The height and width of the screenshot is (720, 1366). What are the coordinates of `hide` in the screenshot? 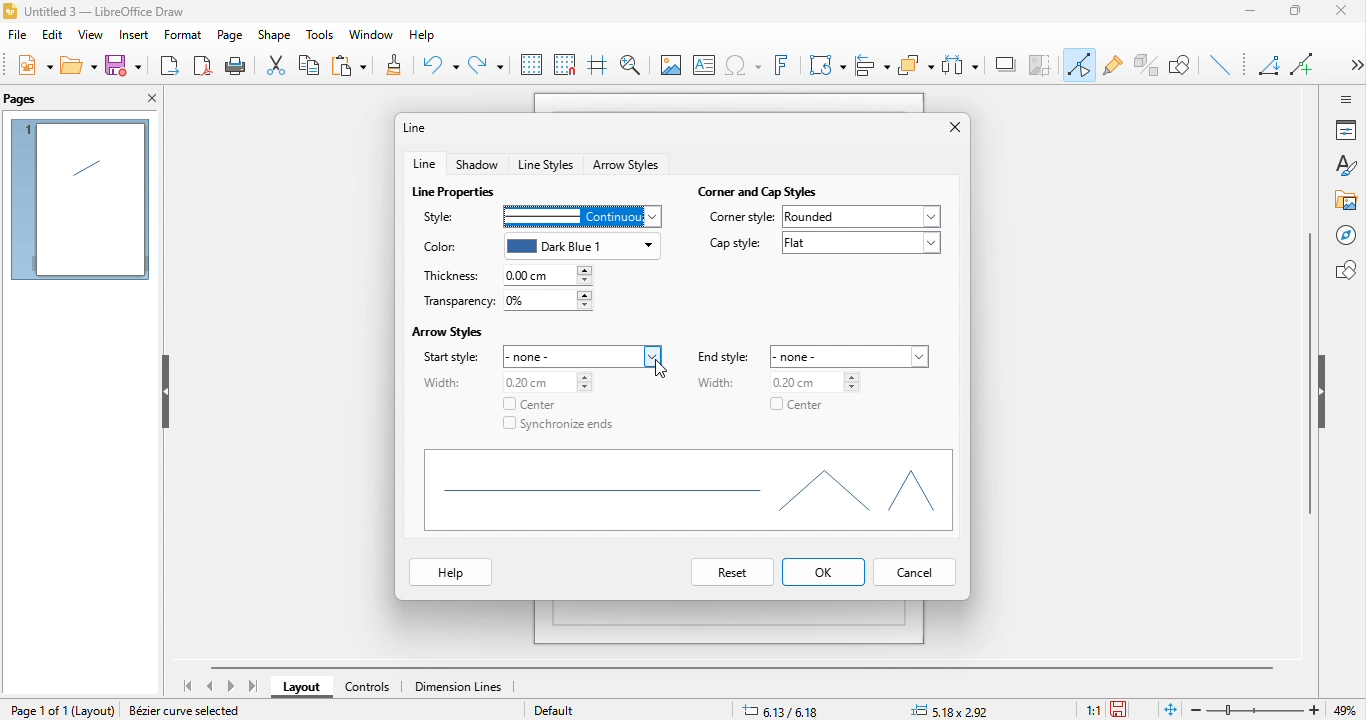 It's located at (164, 393).